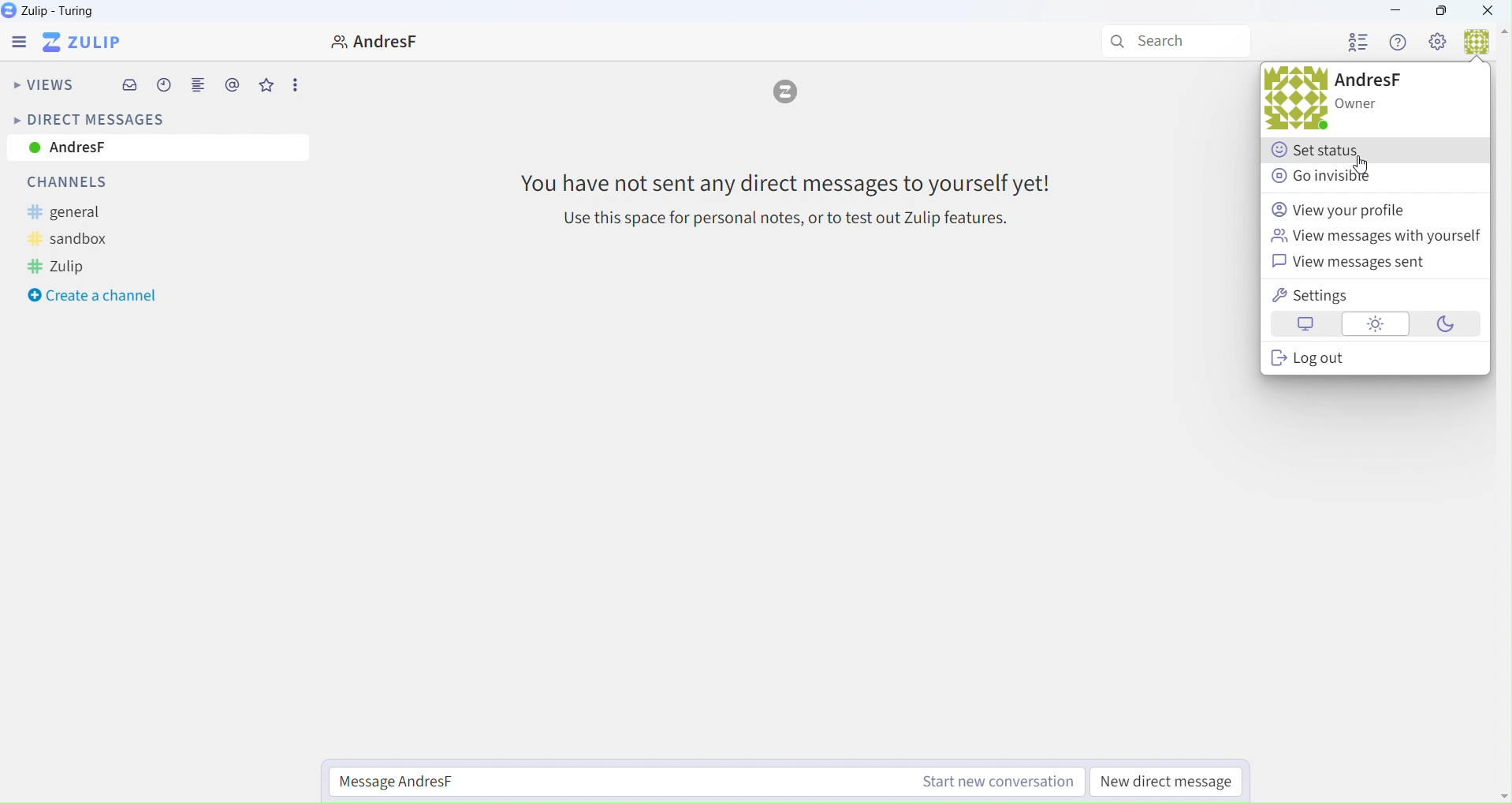 This screenshot has height=803, width=1512. Describe the element at coordinates (43, 87) in the screenshot. I see `Views` at that location.